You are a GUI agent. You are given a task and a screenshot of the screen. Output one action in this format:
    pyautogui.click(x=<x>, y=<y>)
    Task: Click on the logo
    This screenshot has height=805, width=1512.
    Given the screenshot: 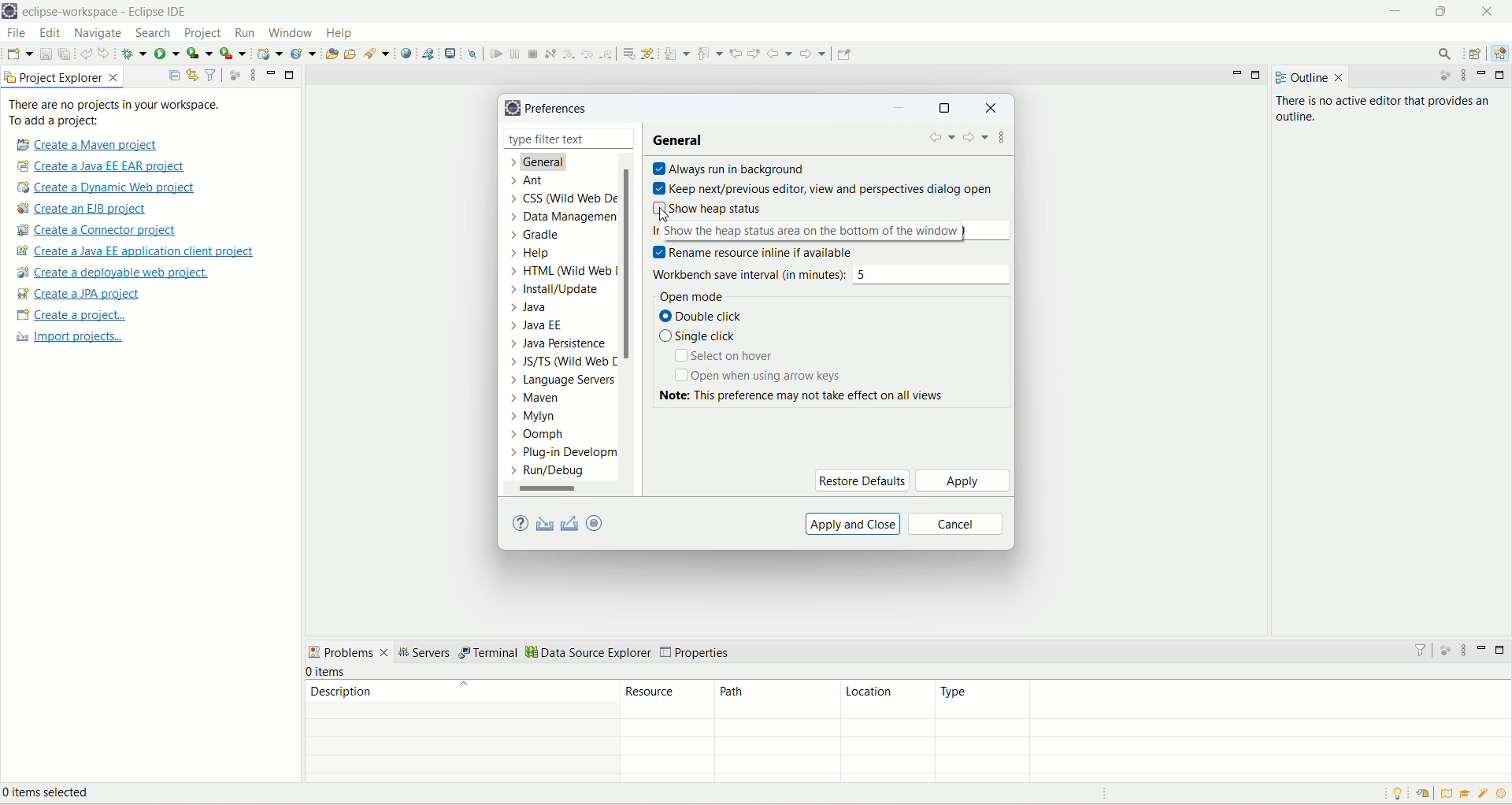 What is the action you would take?
    pyautogui.click(x=511, y=107)
    